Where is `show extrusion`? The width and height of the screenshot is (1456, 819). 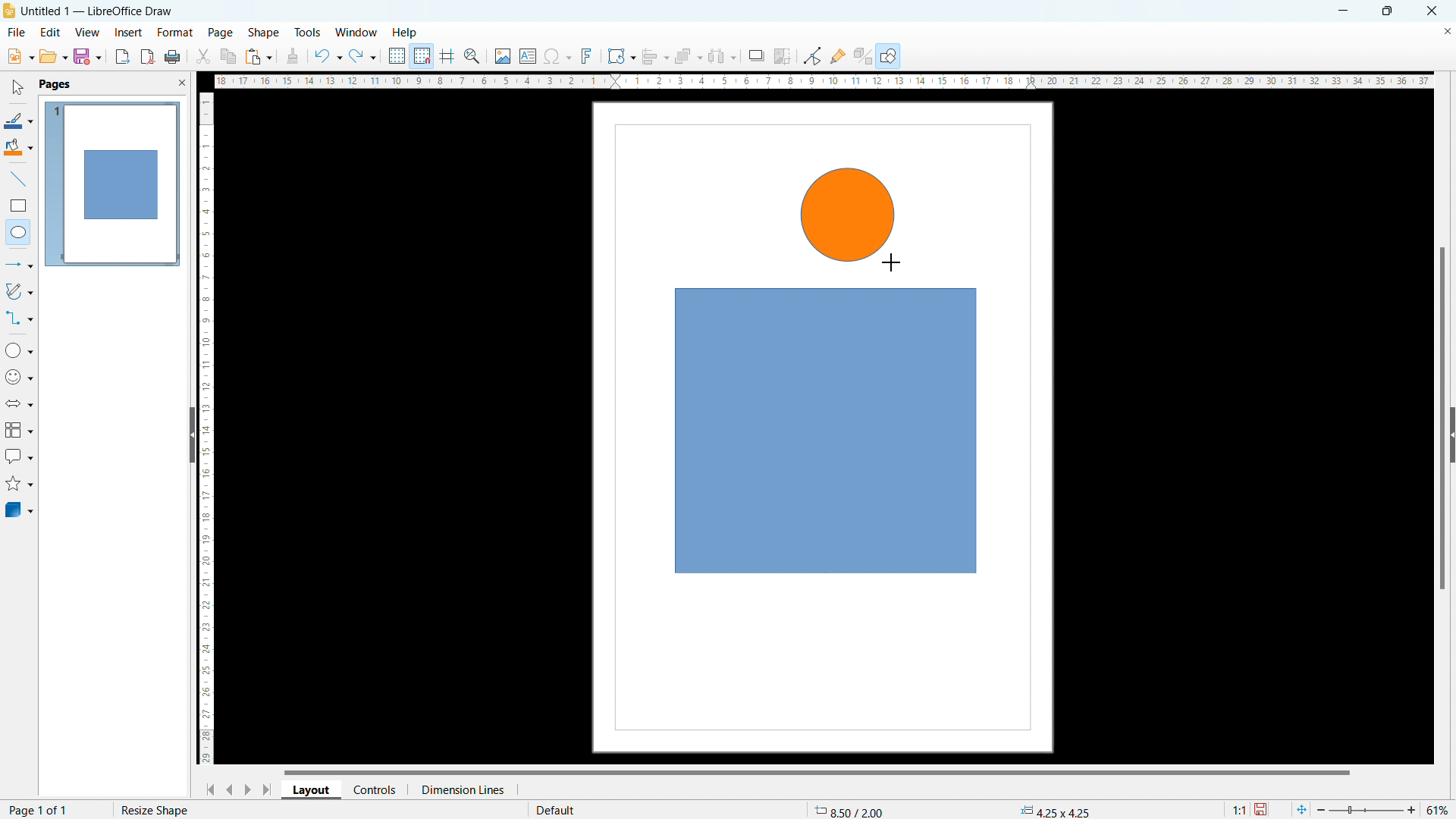 show extrusion is located at coordinates (863, 57).